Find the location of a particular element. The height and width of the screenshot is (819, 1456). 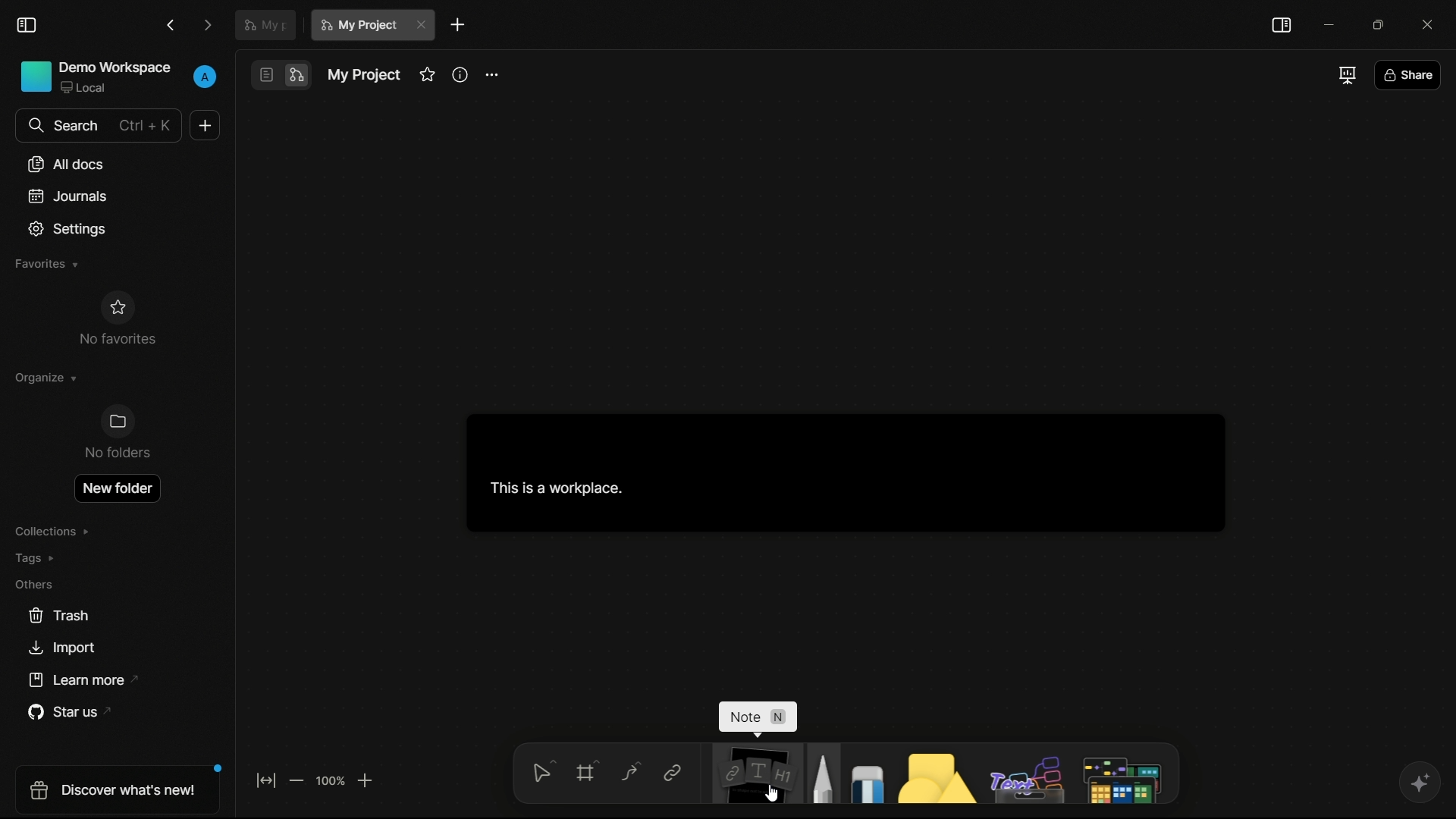

favorites is located at coordinates (46, 265).